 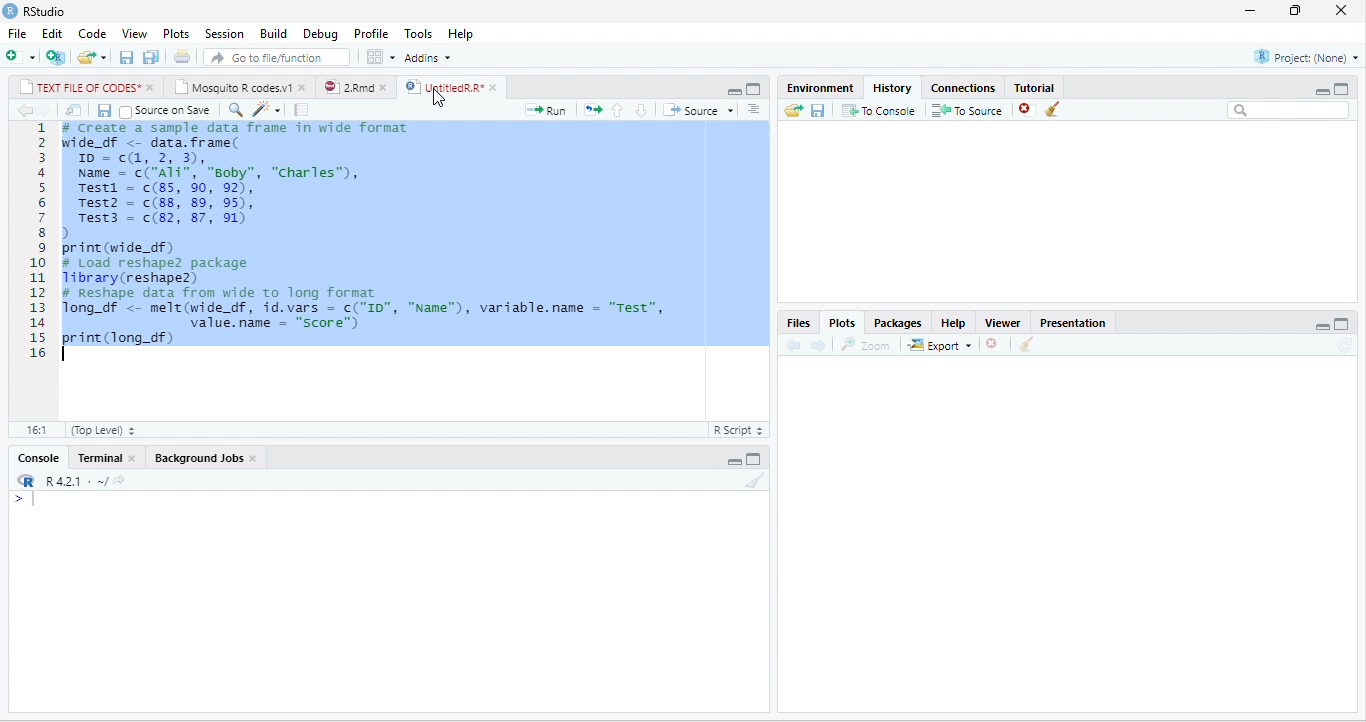 I want to click on forward, so click(x=819, y=345).